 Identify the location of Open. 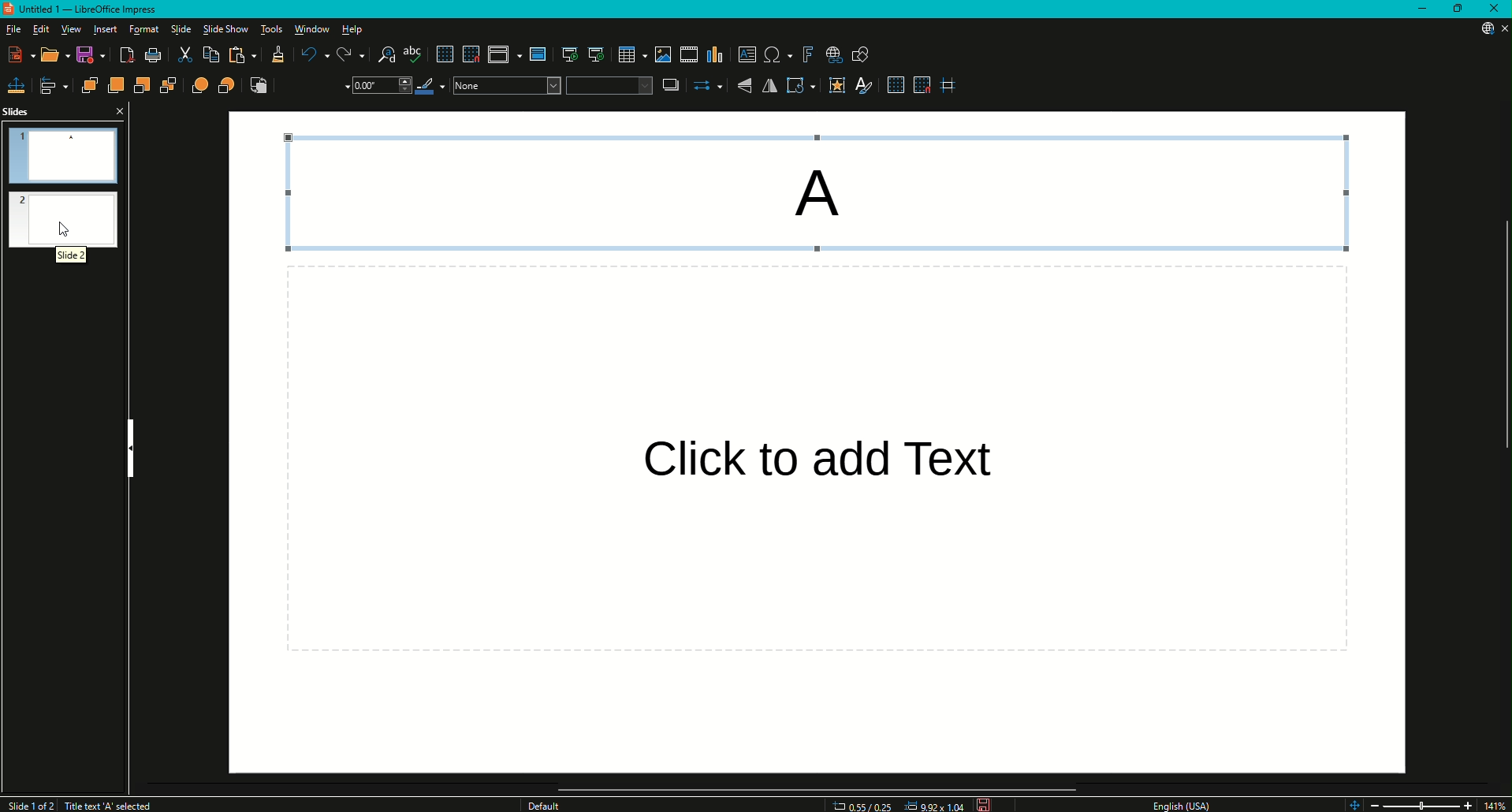
(50, 54).